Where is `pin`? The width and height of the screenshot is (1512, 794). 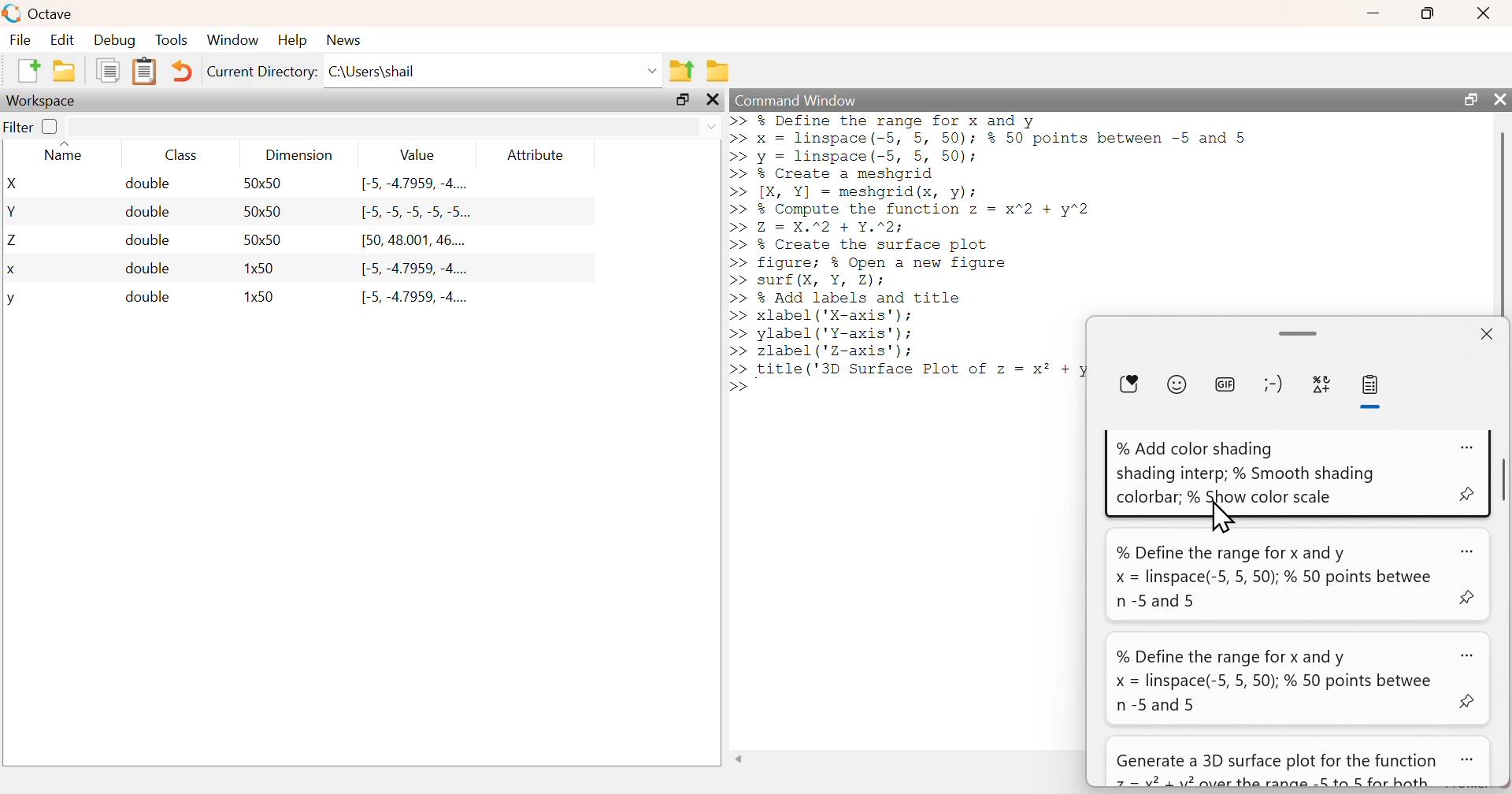 pin is located at coordinates (1469, 701).